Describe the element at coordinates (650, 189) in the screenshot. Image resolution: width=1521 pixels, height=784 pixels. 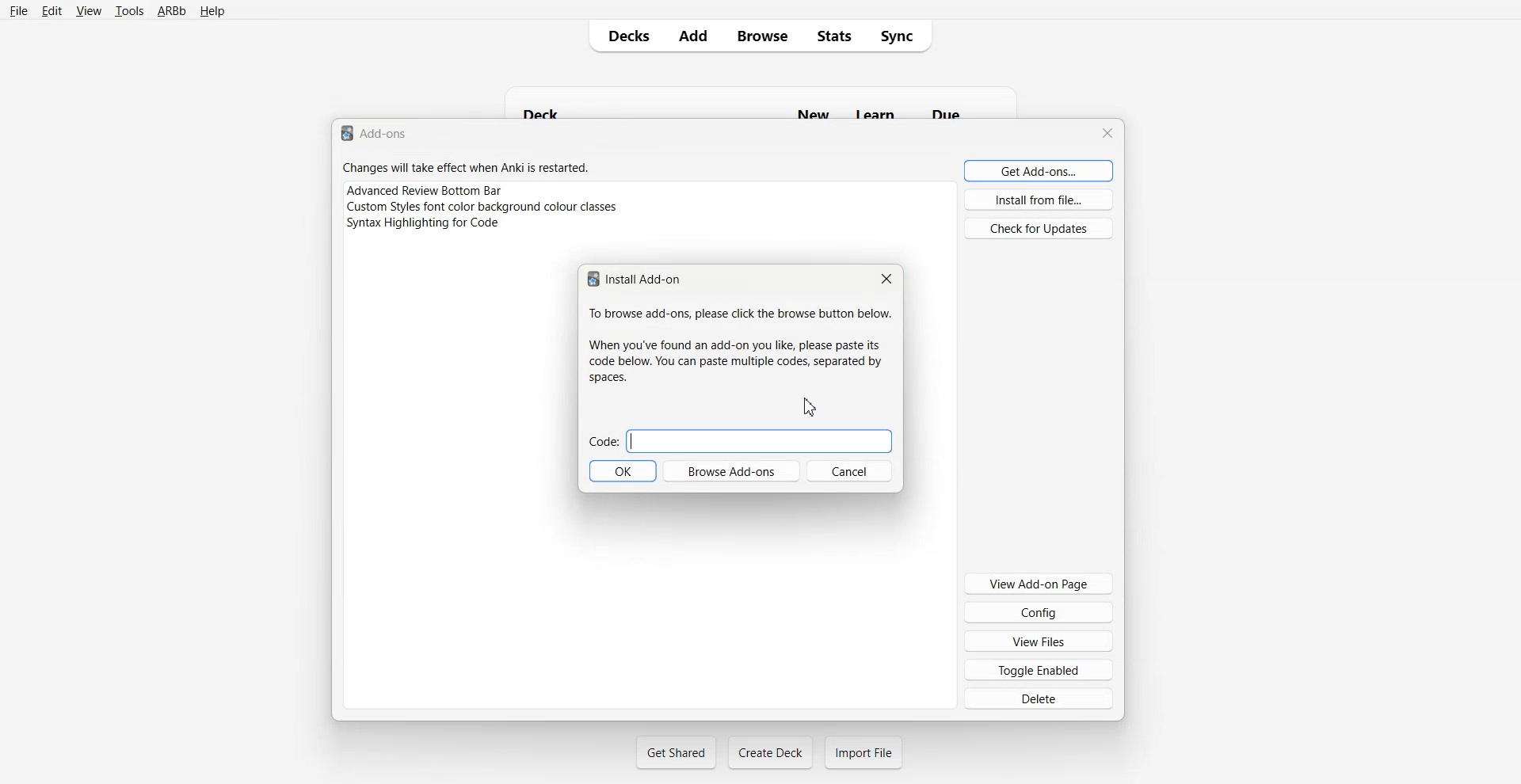
I see `Advance Review Bottom Bar` at that location.